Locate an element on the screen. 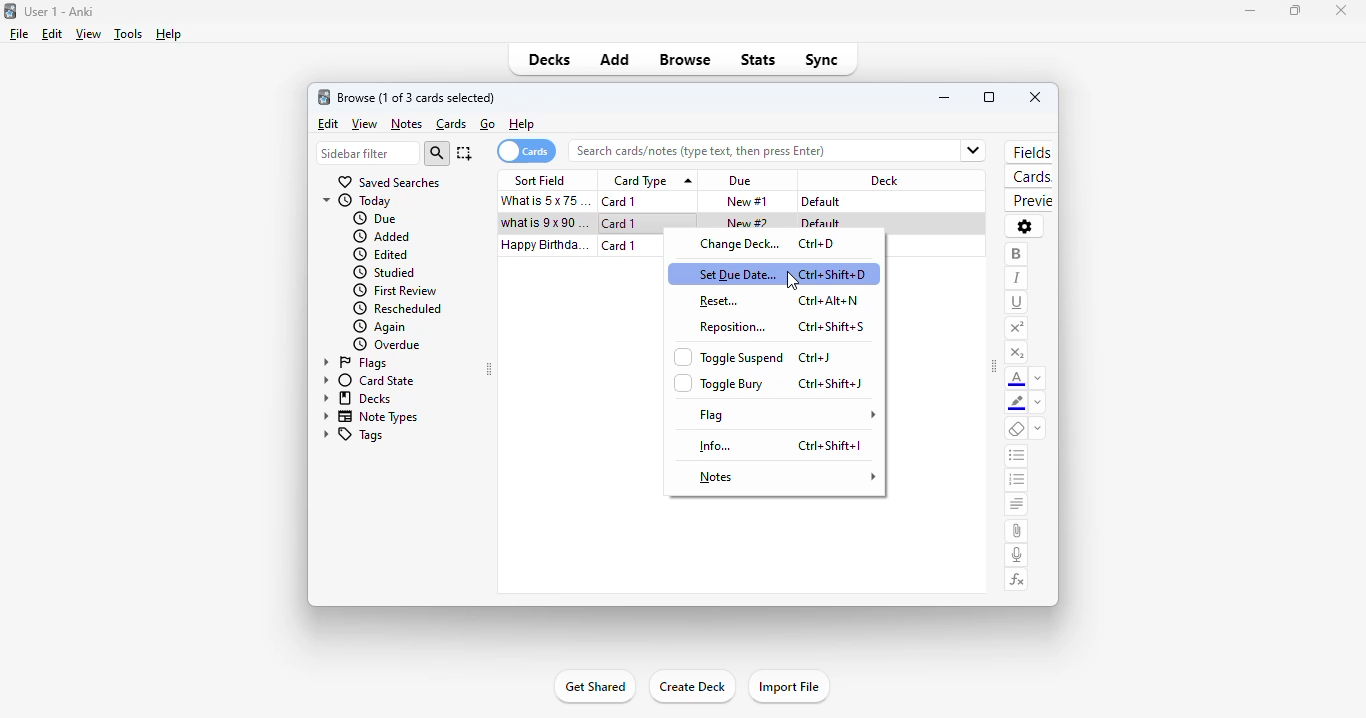  get shared is located at coordinates (596, 686).